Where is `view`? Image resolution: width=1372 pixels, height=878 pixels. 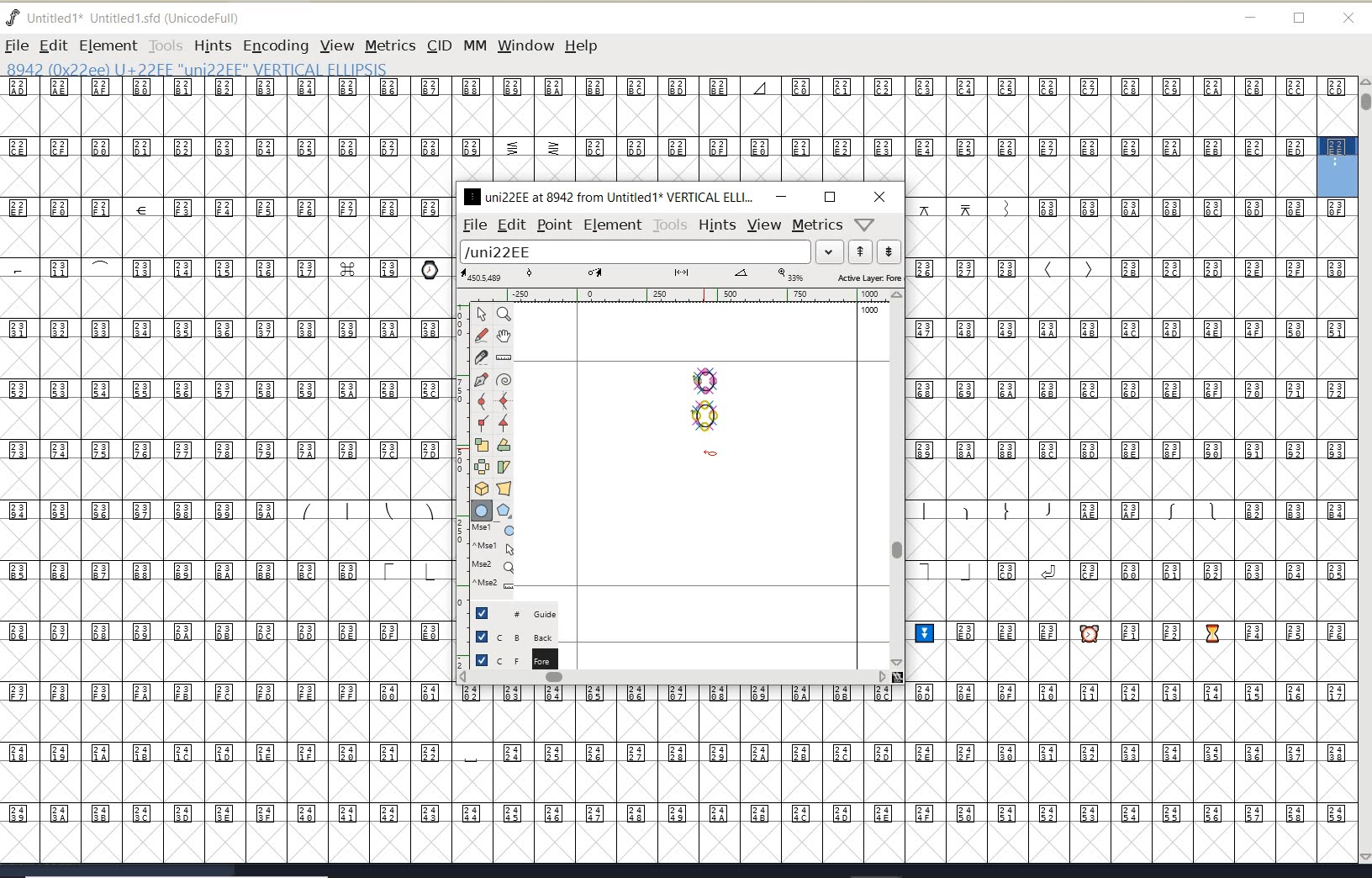 view is located at coordinates (764, 225).